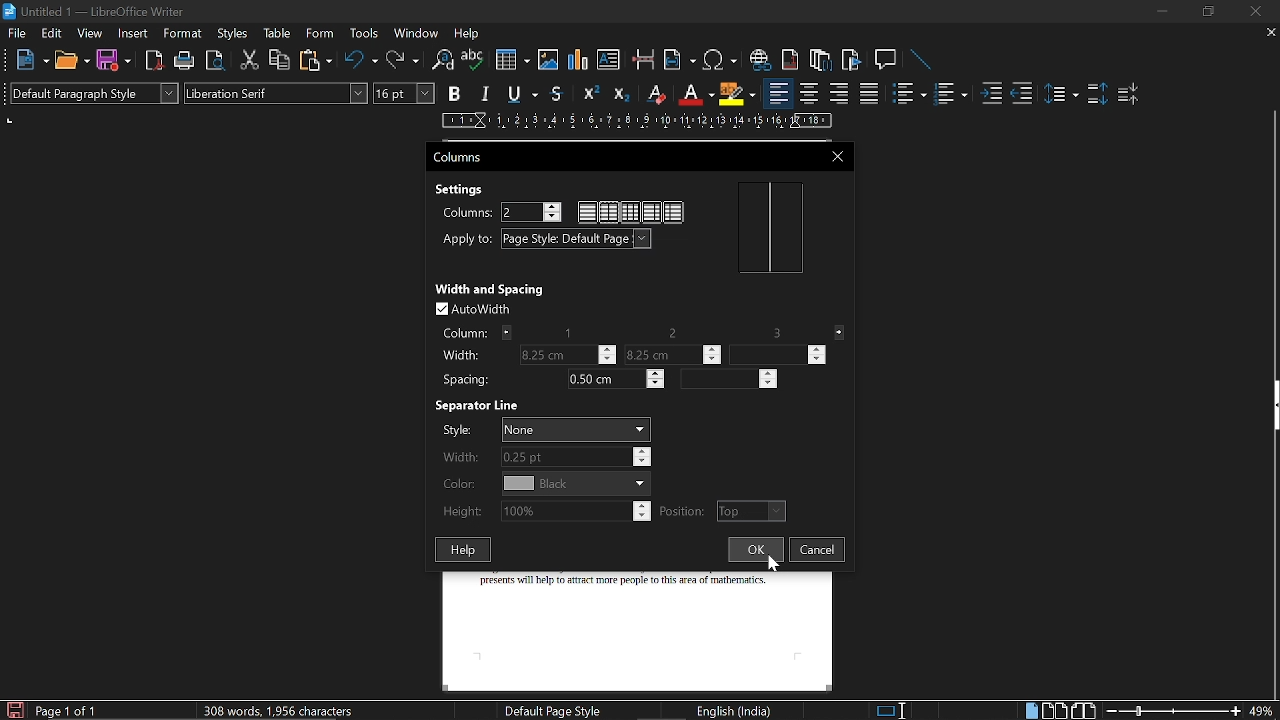 The height and width of the screenshot is (720, 1280). I want to click on Toggle ordered list, so click(951, 93).